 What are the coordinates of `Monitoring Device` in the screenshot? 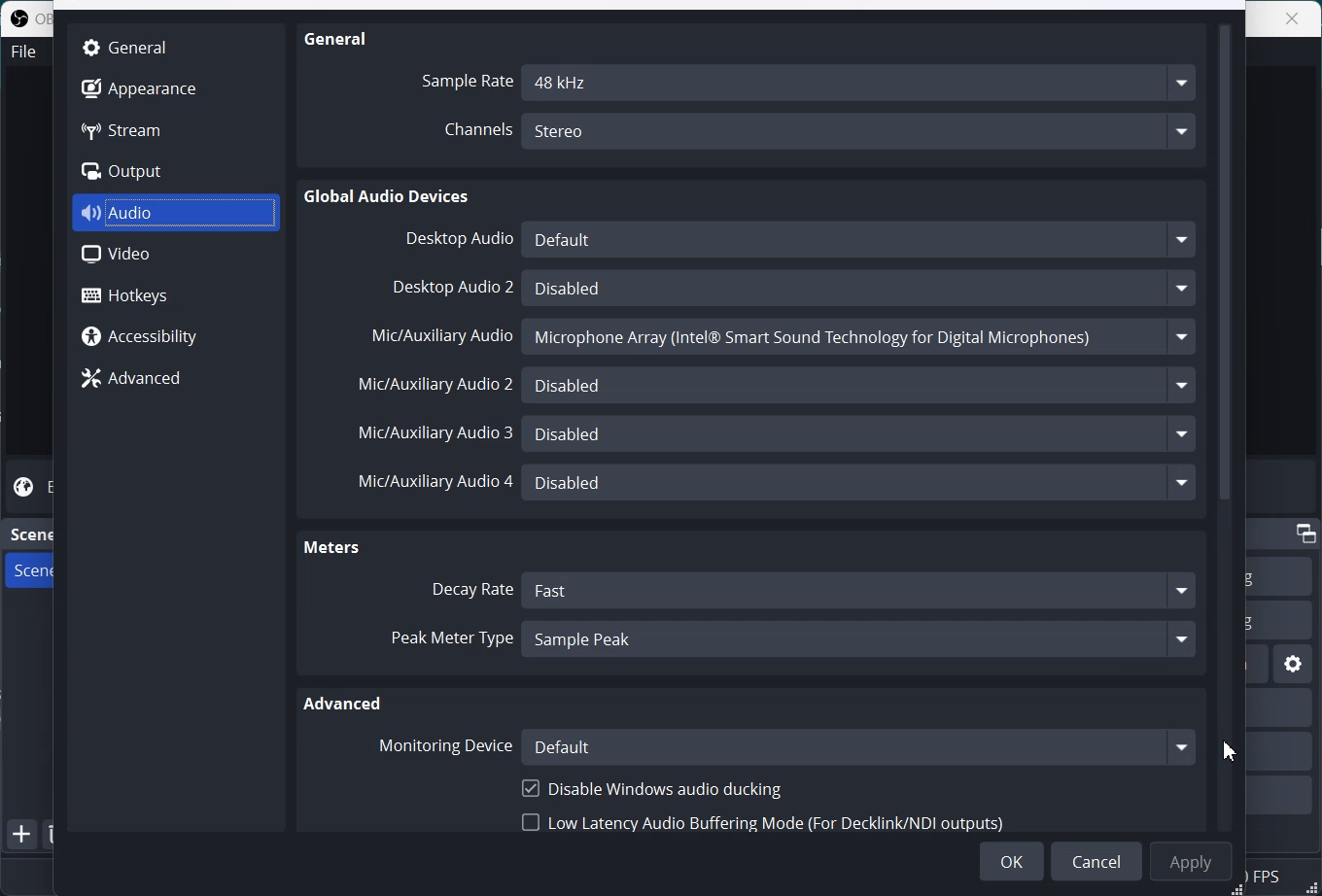 It's located at (446, 743).